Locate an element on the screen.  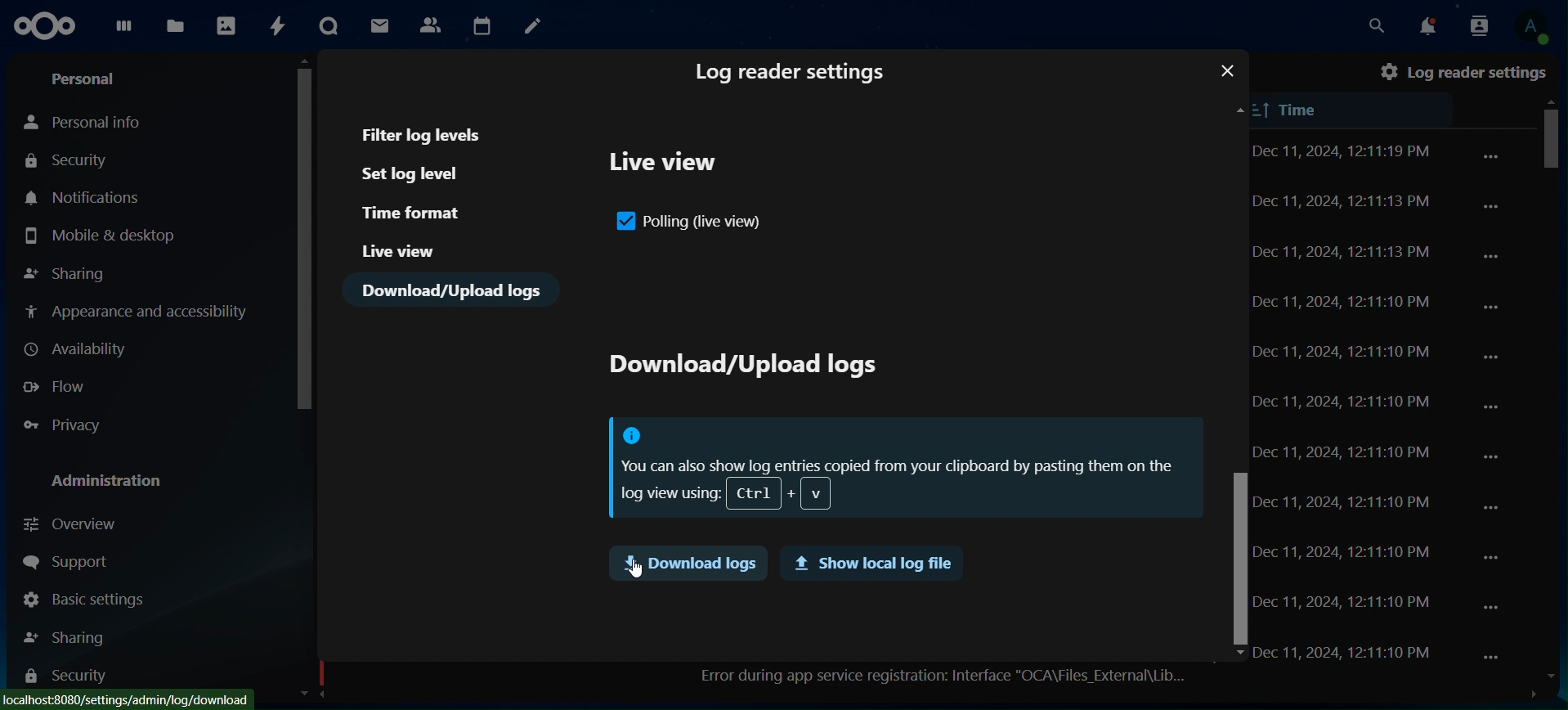
close is located at coordinates (1227, 71).